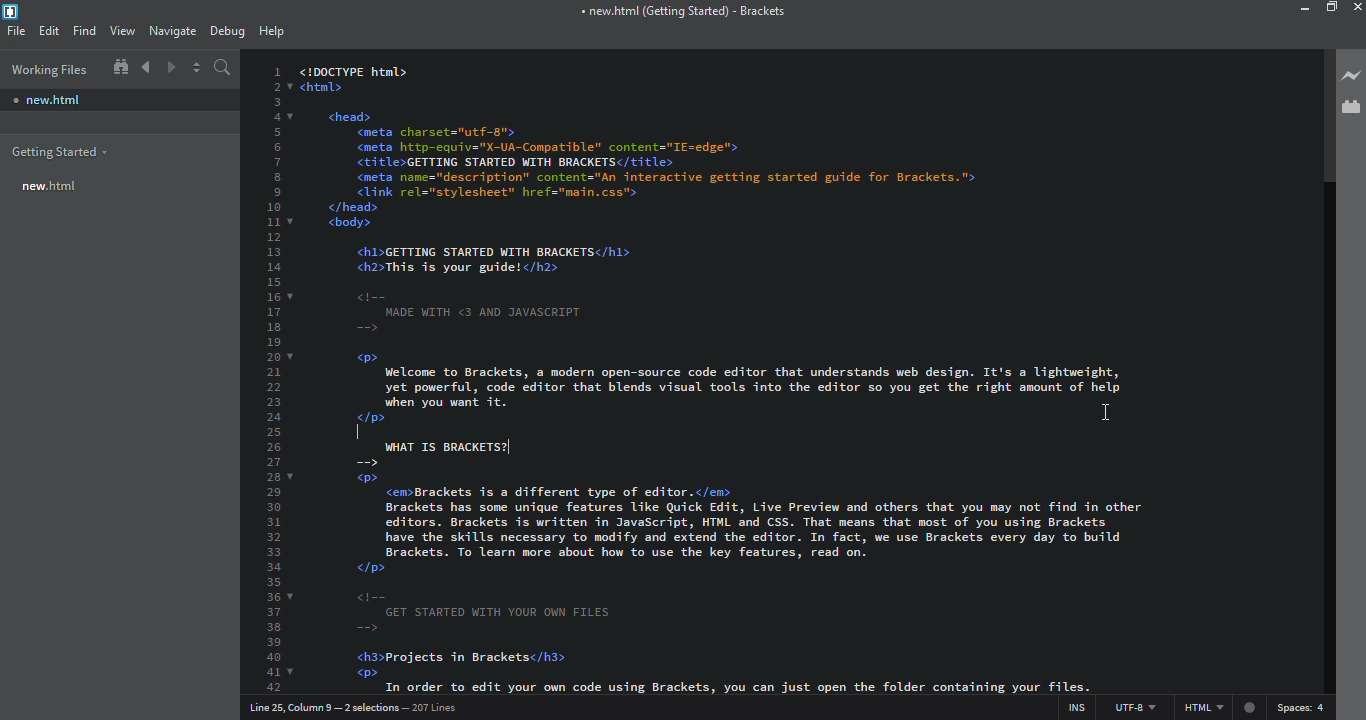  Describe the element at coordinates (1288, 8) in the screenshot. I see `minimize` at that location.